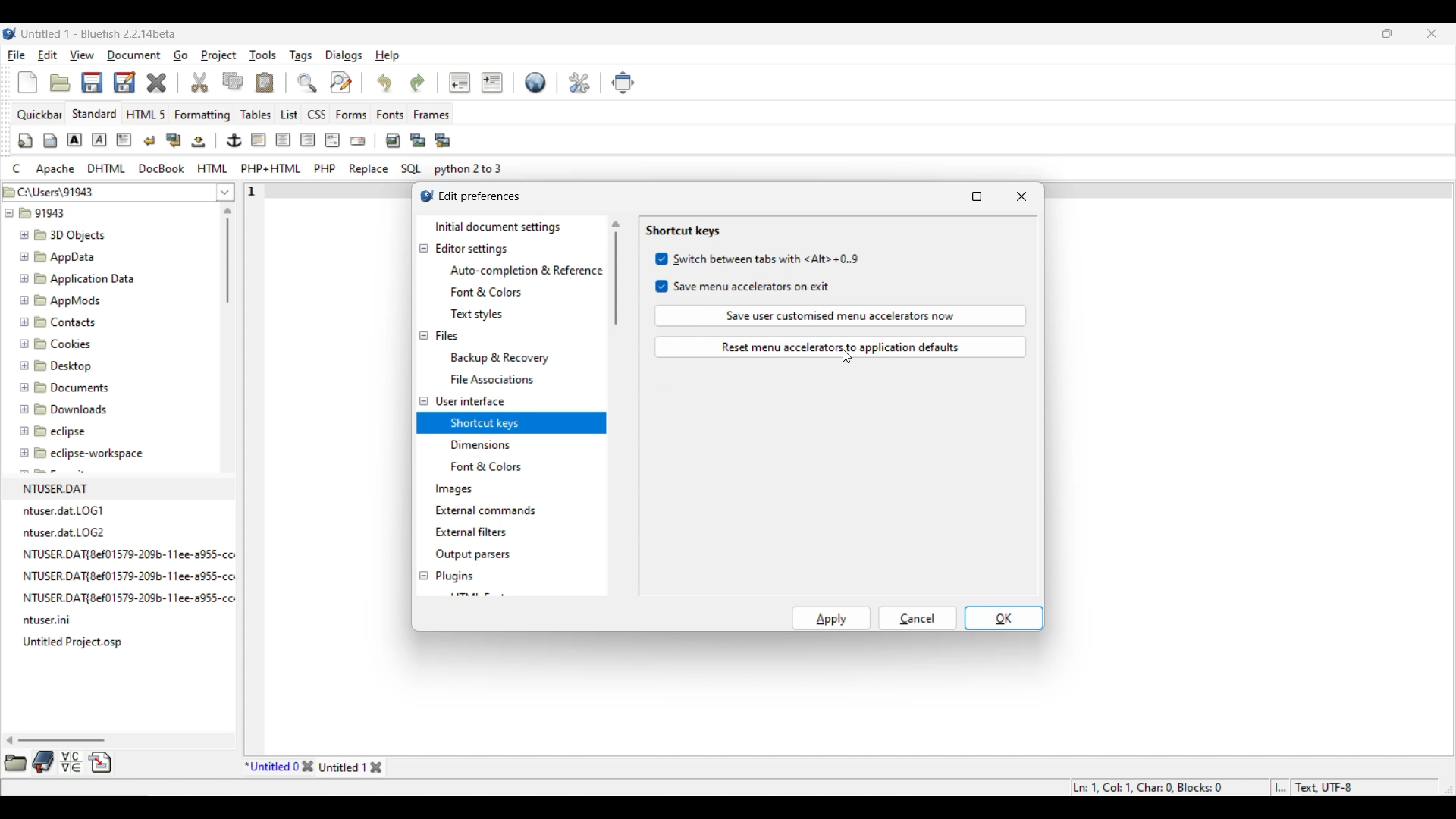  Describe the element at coordinates (133, 553) in the screenshot. I see `NTUSER.DAT{8f01579-209b-11ee-2955-cc:` at that location.